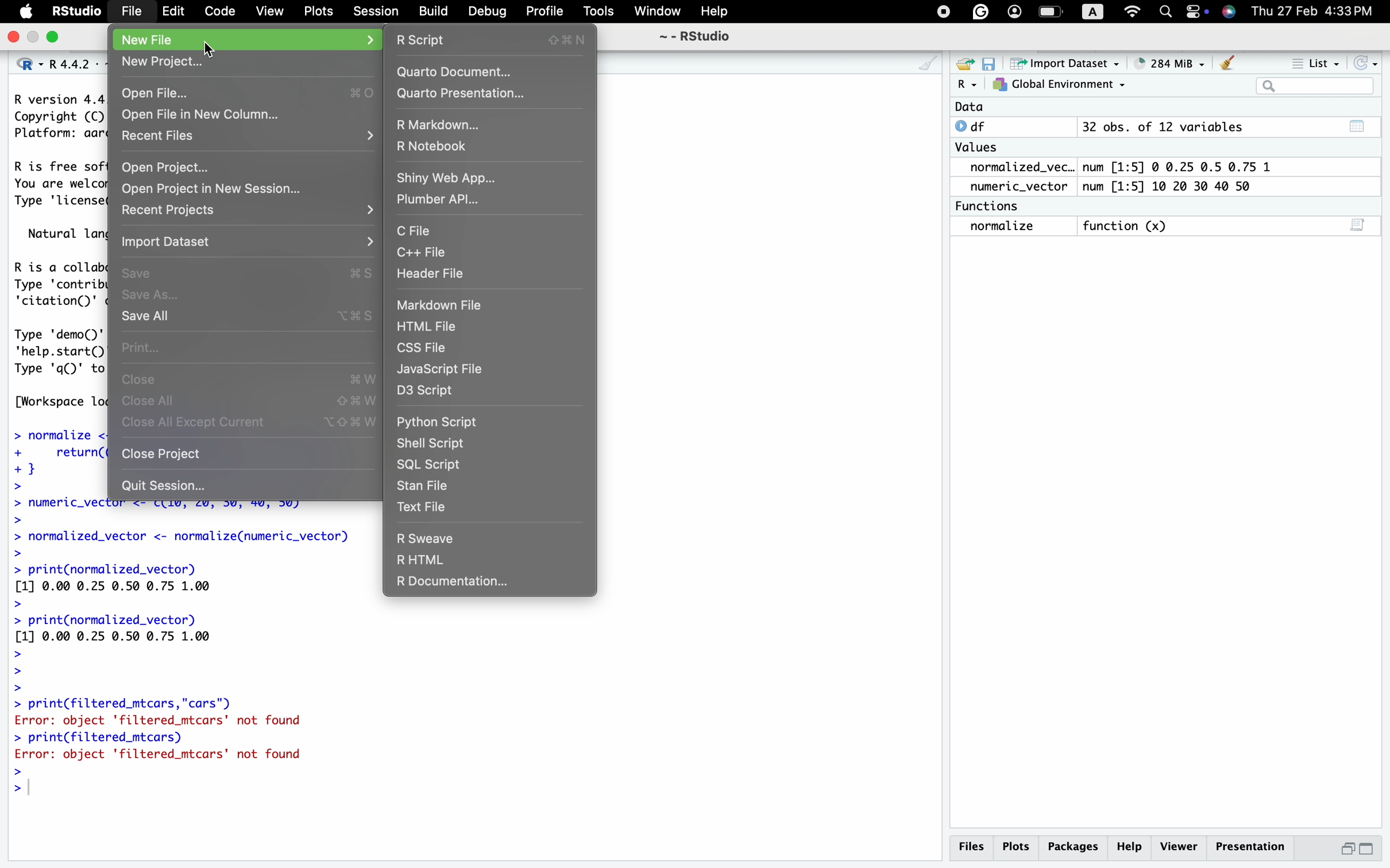 The height and width of the screenshot is (868, 1390). I want to click on Markdown File, so click(446, 306).